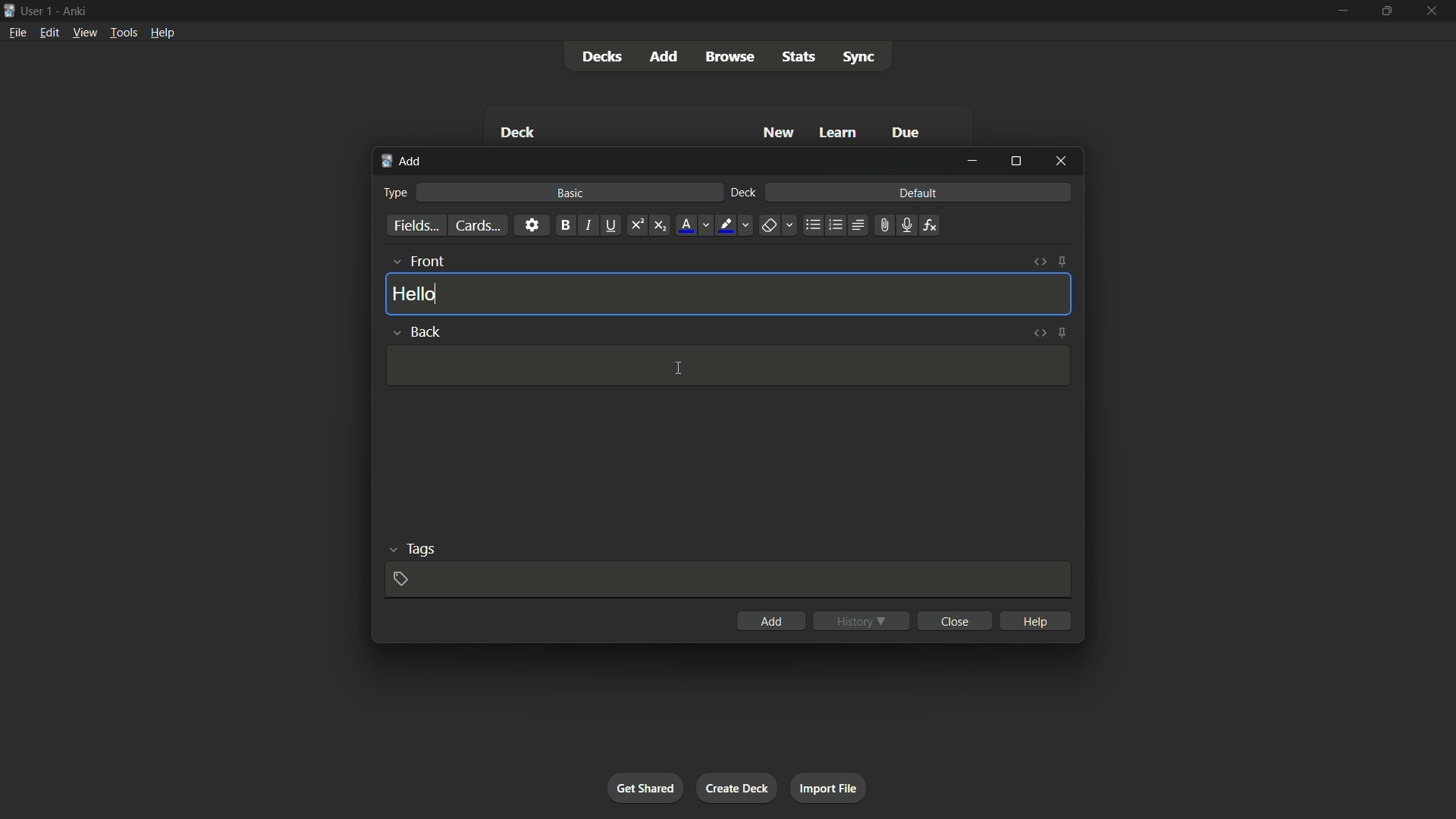 Image resolution: width=1456 pixels, height=819 pixels. I want to click on highlight text, so click(736, 226).